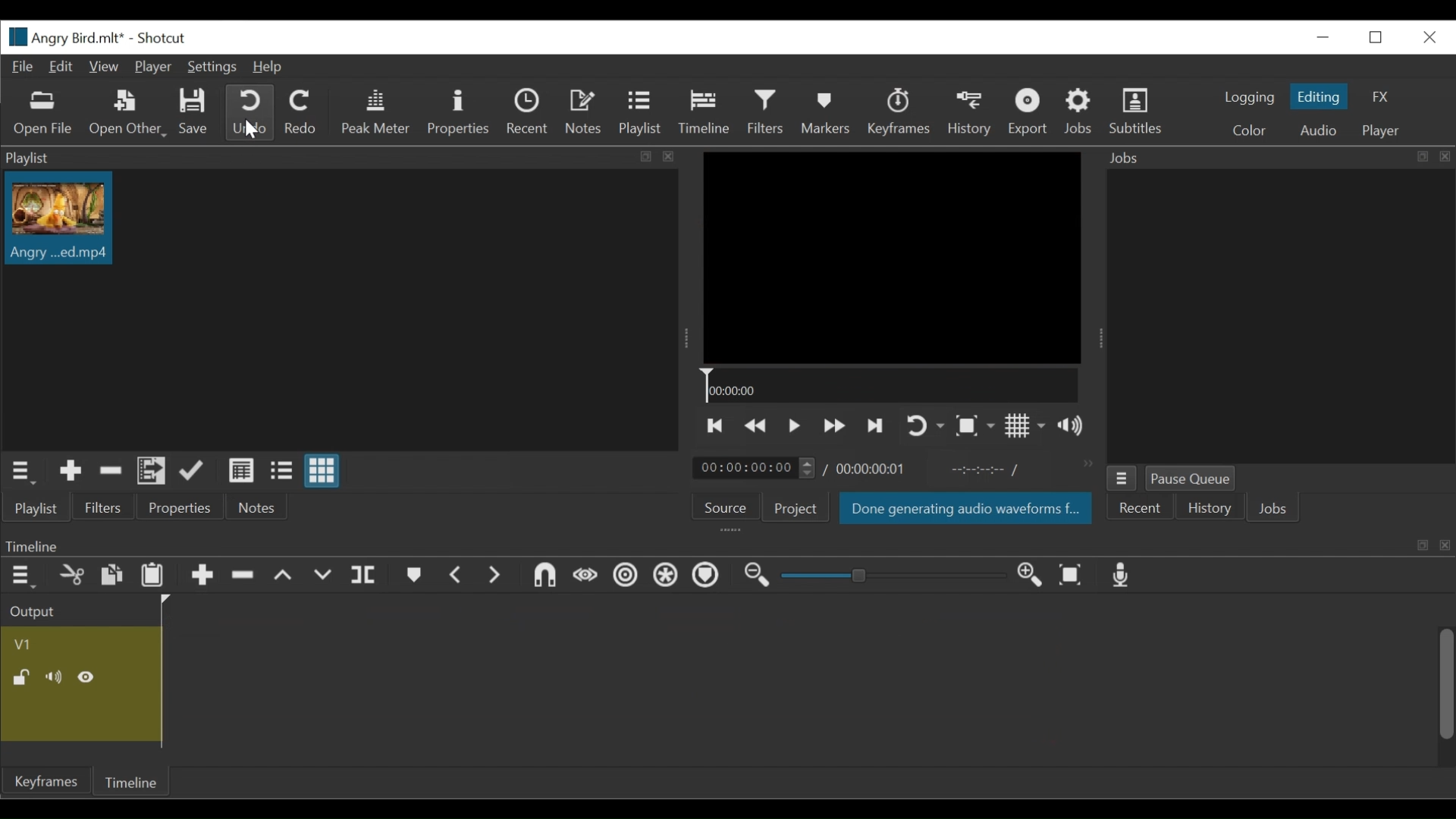 The width and height of the screenshot is (1456, 819). I want to click on Vertical Scroll bar, so click(1446, 684).